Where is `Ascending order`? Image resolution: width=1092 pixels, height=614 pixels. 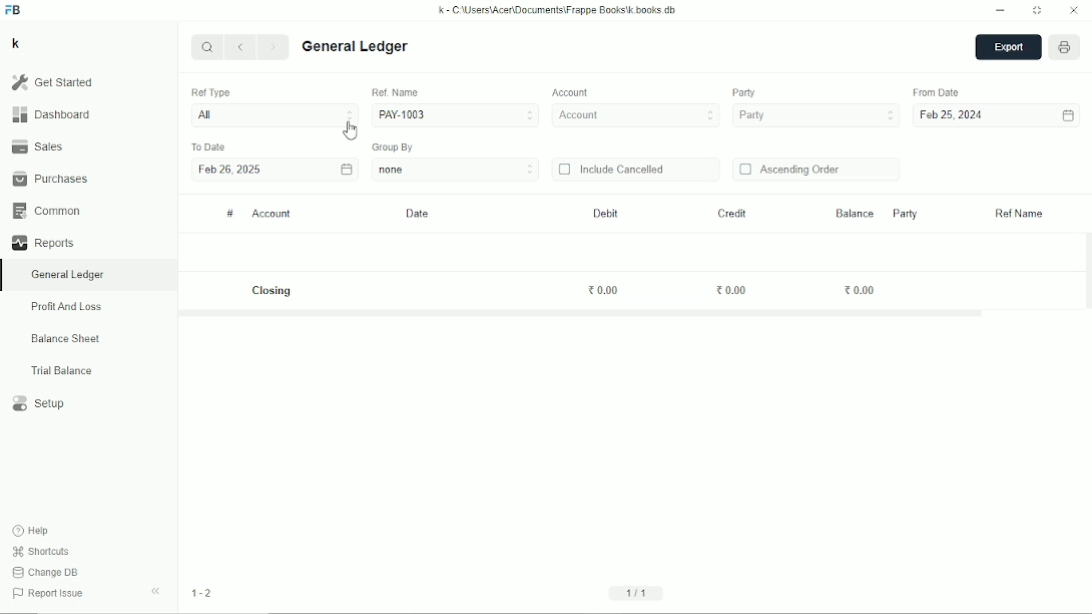
Ascending order is located at coordinates (790, 170).